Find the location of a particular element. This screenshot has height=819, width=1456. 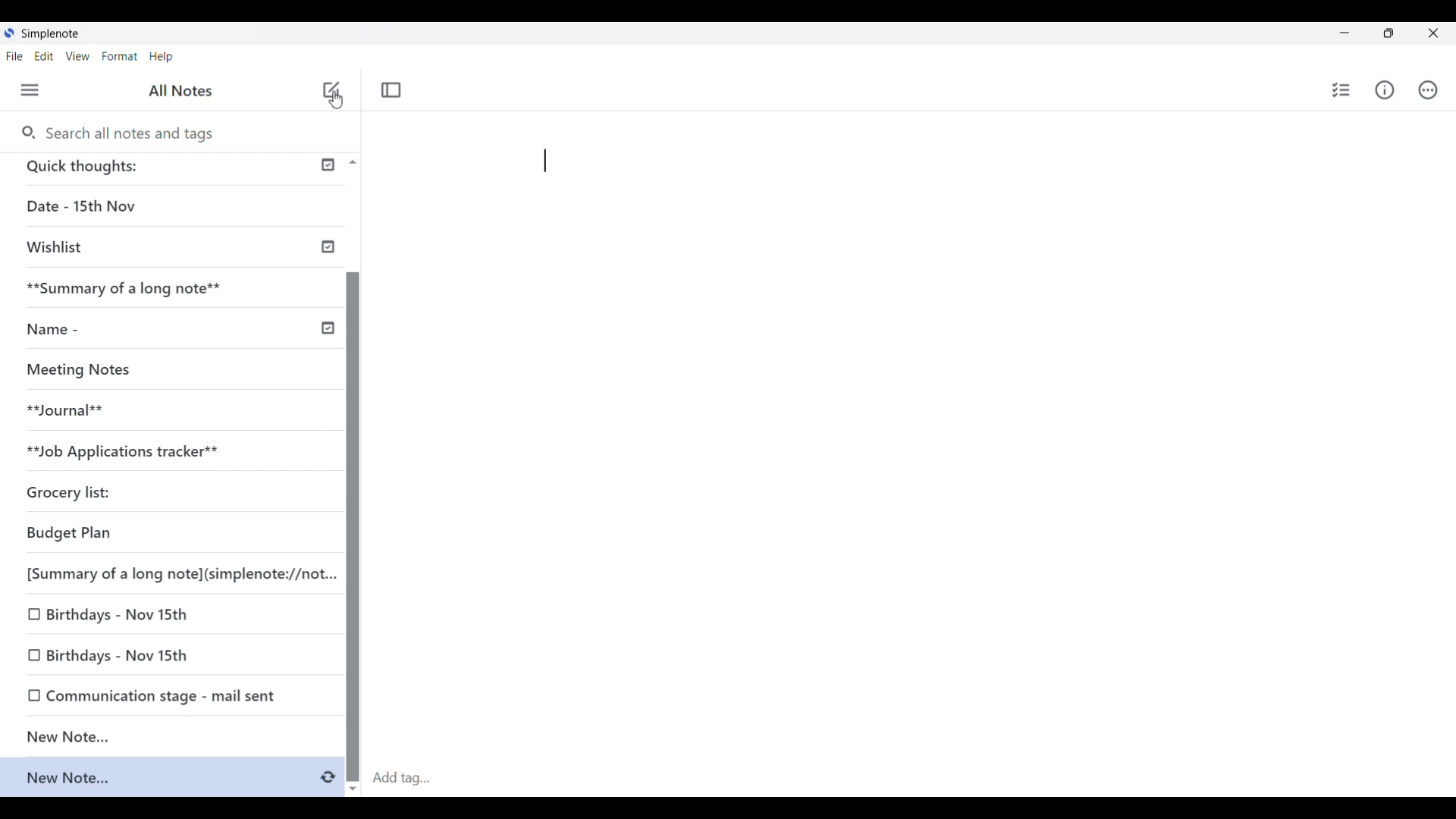

Help menu is located at coordinates (162, 56).